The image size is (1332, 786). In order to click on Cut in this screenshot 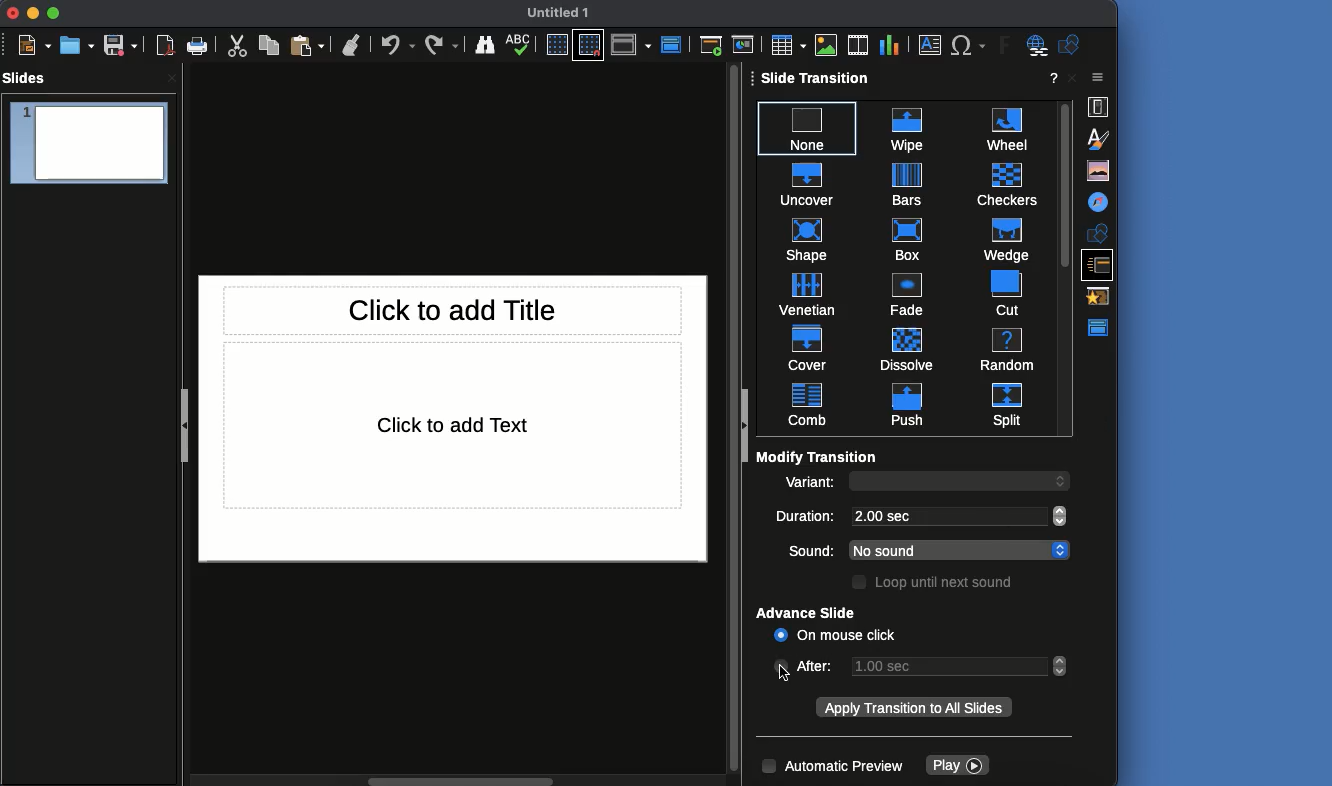, I will do `click(235, 46)`.